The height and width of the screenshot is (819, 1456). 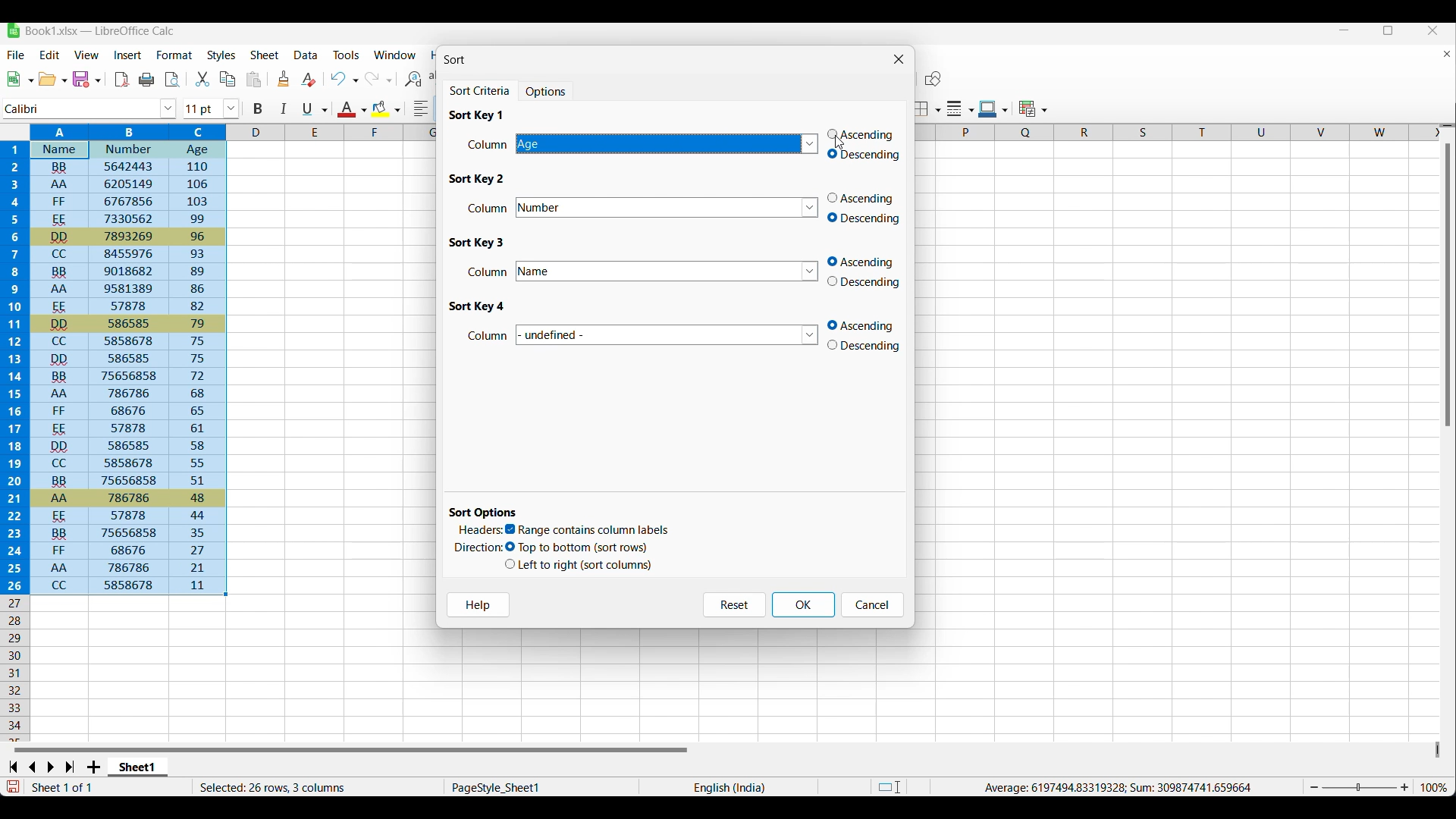 I want to click on descending, so click(x=868, y=347).